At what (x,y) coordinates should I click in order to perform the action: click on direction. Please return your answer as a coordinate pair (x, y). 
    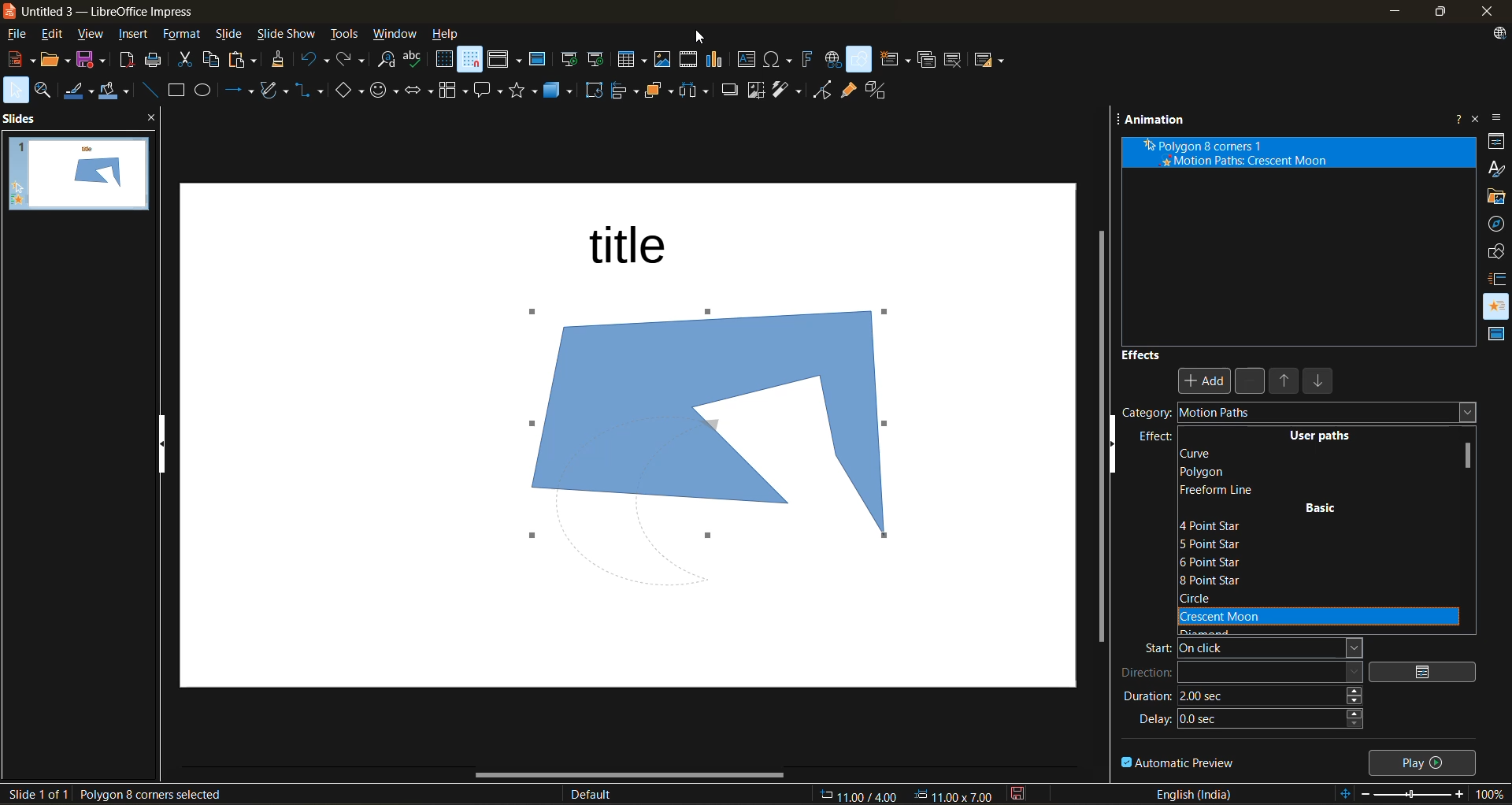
    Looking at the image, I should click on (1242, 673).